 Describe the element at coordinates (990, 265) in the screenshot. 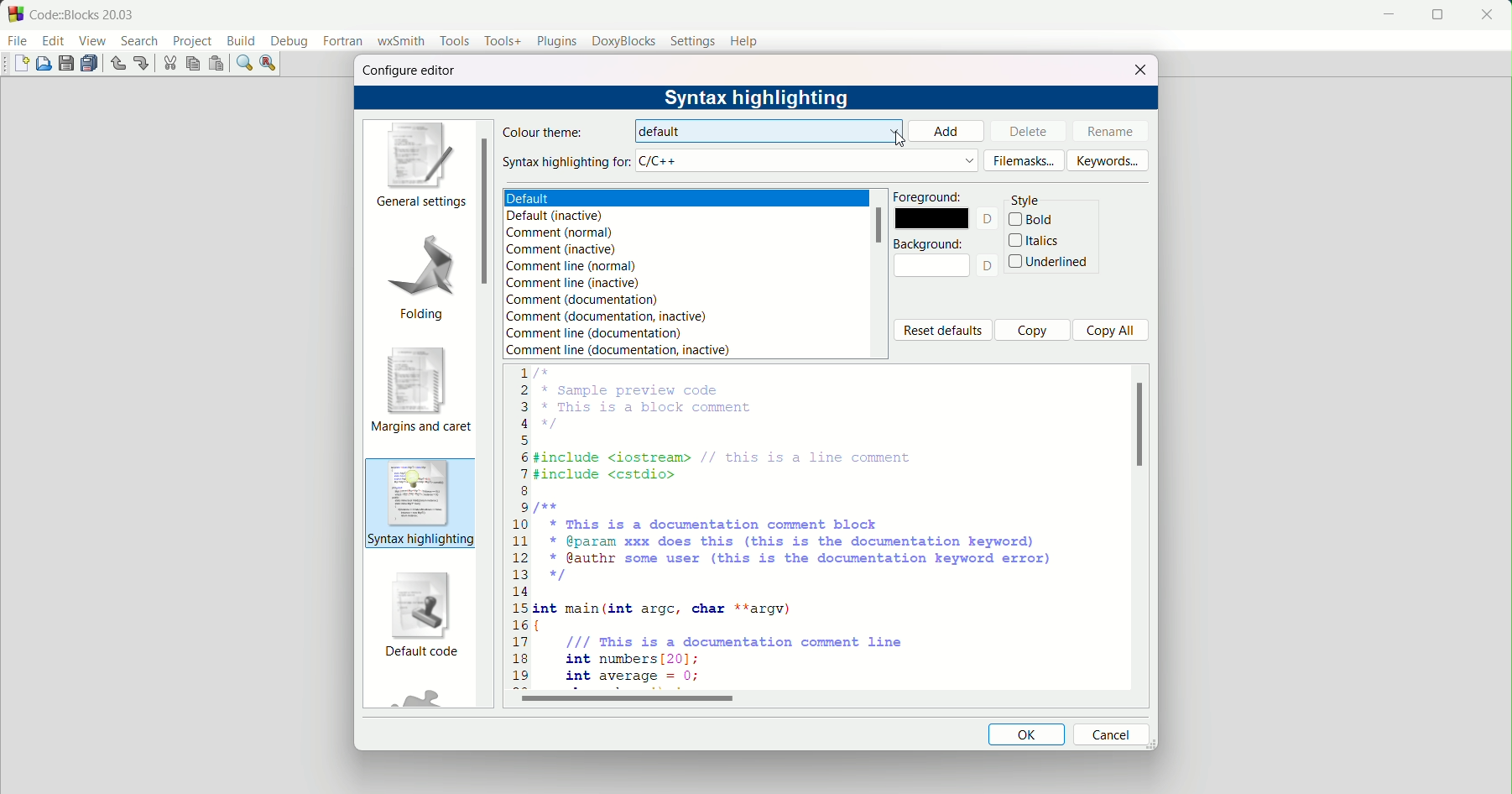

I see `text` at that location.